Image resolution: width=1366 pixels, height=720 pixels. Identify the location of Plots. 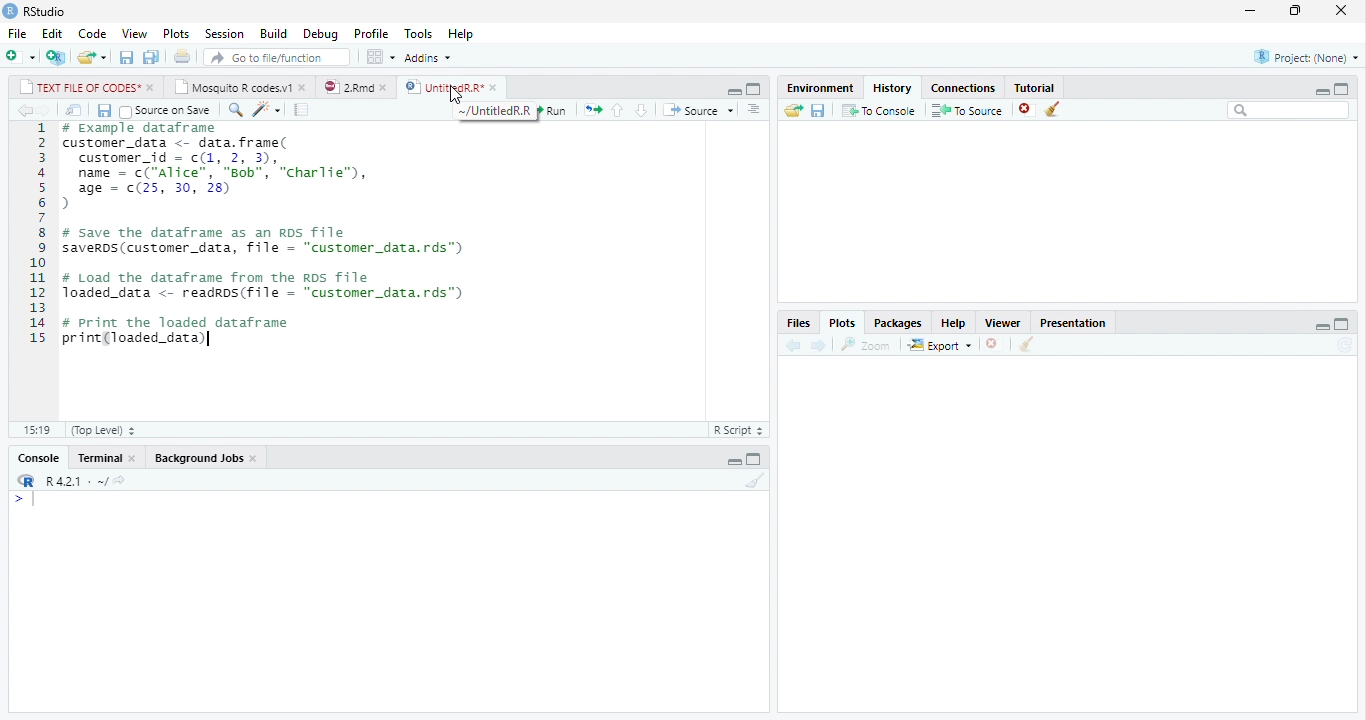
(842, 323).